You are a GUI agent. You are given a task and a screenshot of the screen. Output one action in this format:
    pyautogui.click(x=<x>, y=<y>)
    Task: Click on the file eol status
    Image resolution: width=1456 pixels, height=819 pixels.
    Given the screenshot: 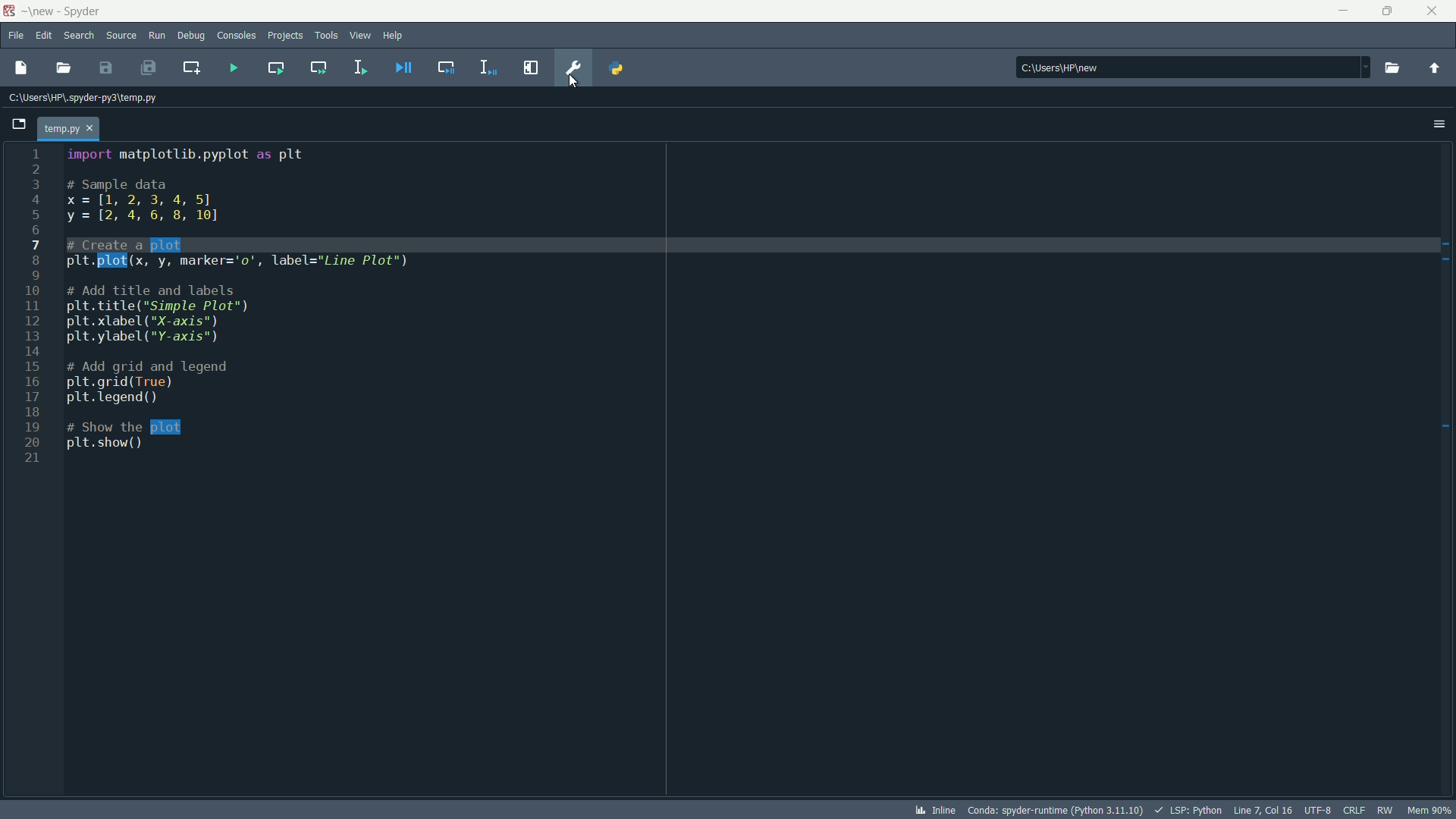 What is the action you would take?
    pyautogui.click(x=1355, y=810)
    